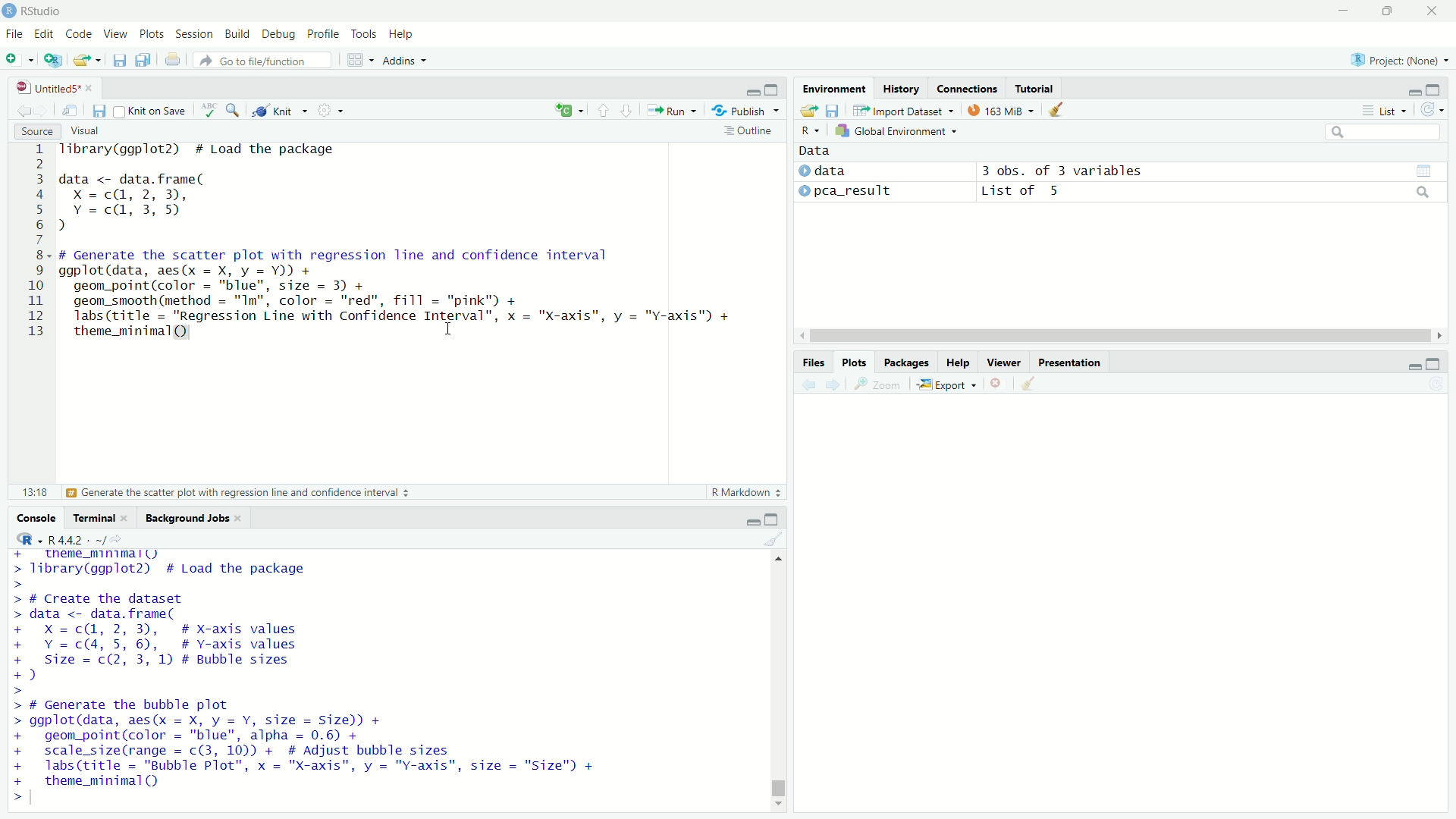 The width and height of the screenshot is (1456, 819). I want to click on Clear objects from workspace, so click(1057, 110).